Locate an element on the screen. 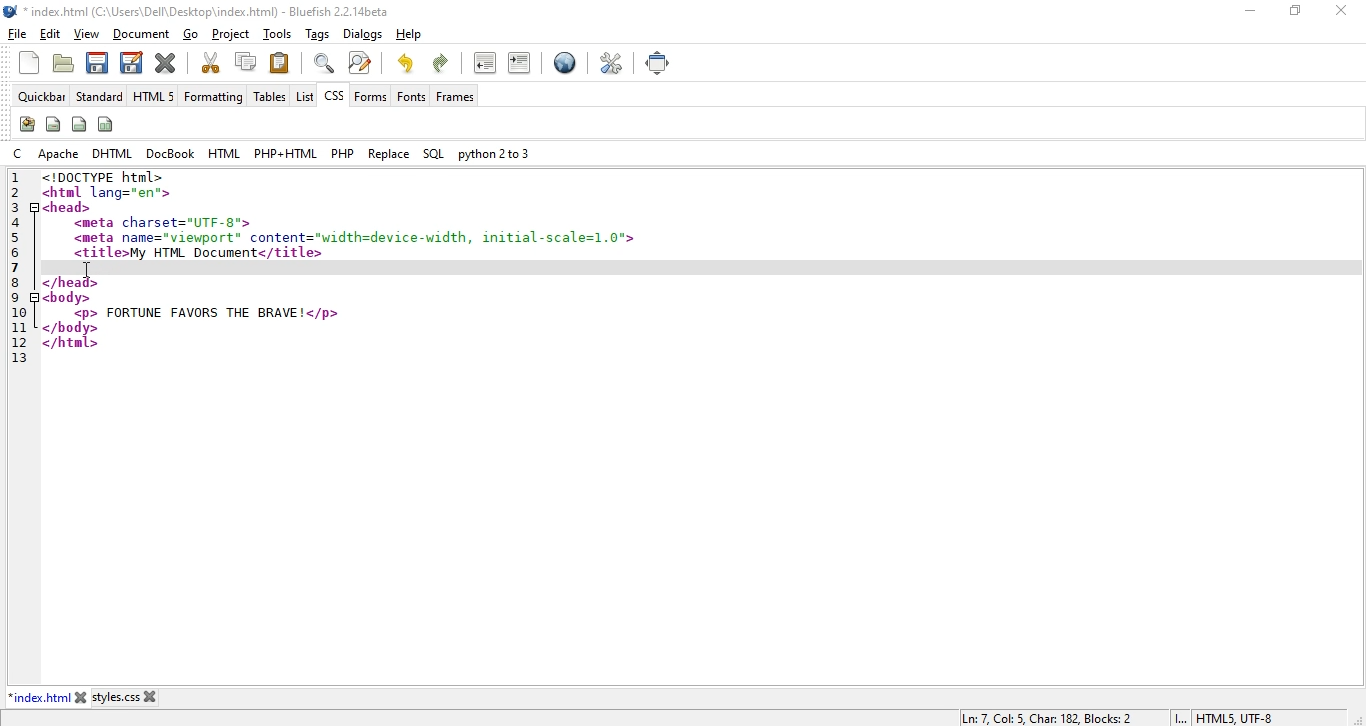 This screenshot has height=726, width=1366. help is located at coordinates (408, 35).